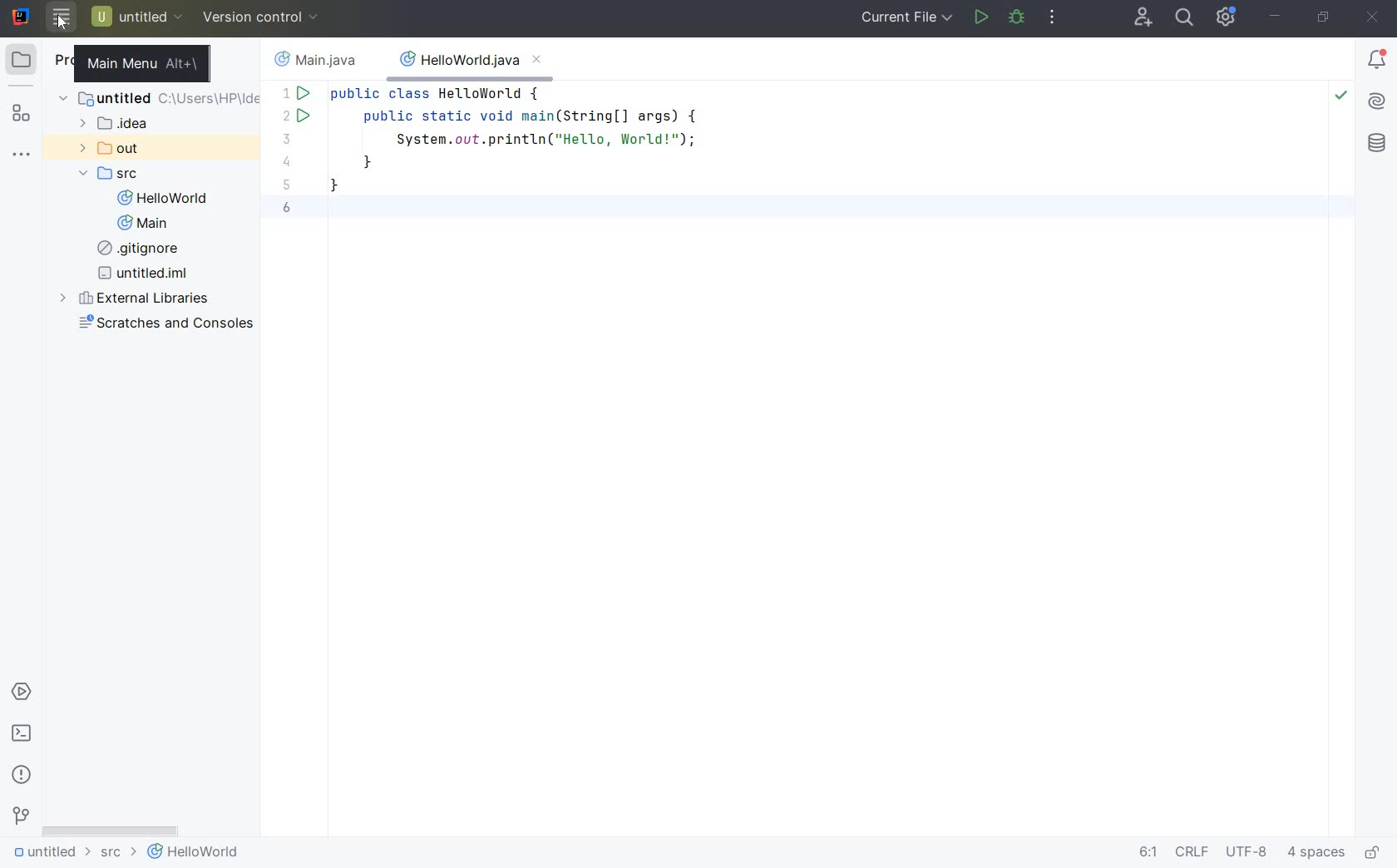  Describe the element at coordinates (744, 156) in the screenshot. I see `CODES` at that location.